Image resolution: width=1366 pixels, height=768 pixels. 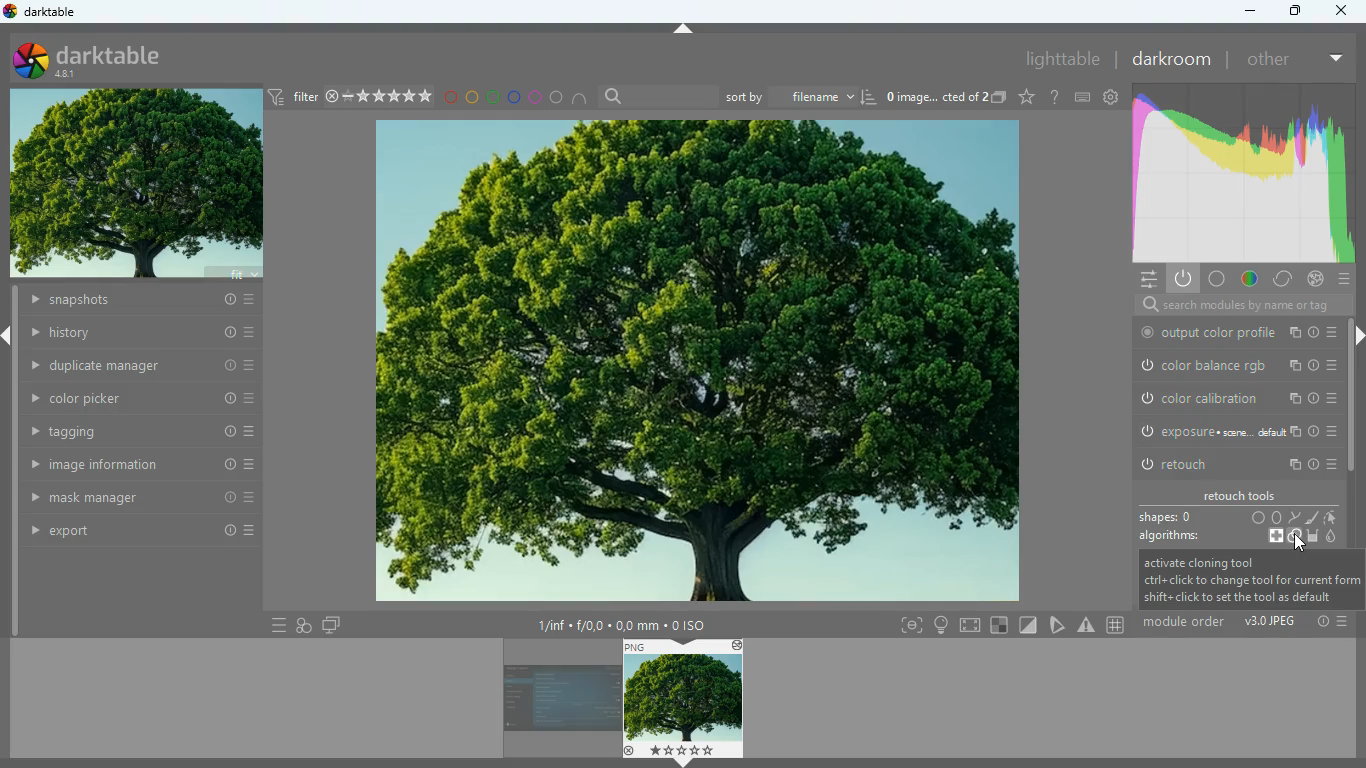 I want to click on search, so click(x=1238, y=307).